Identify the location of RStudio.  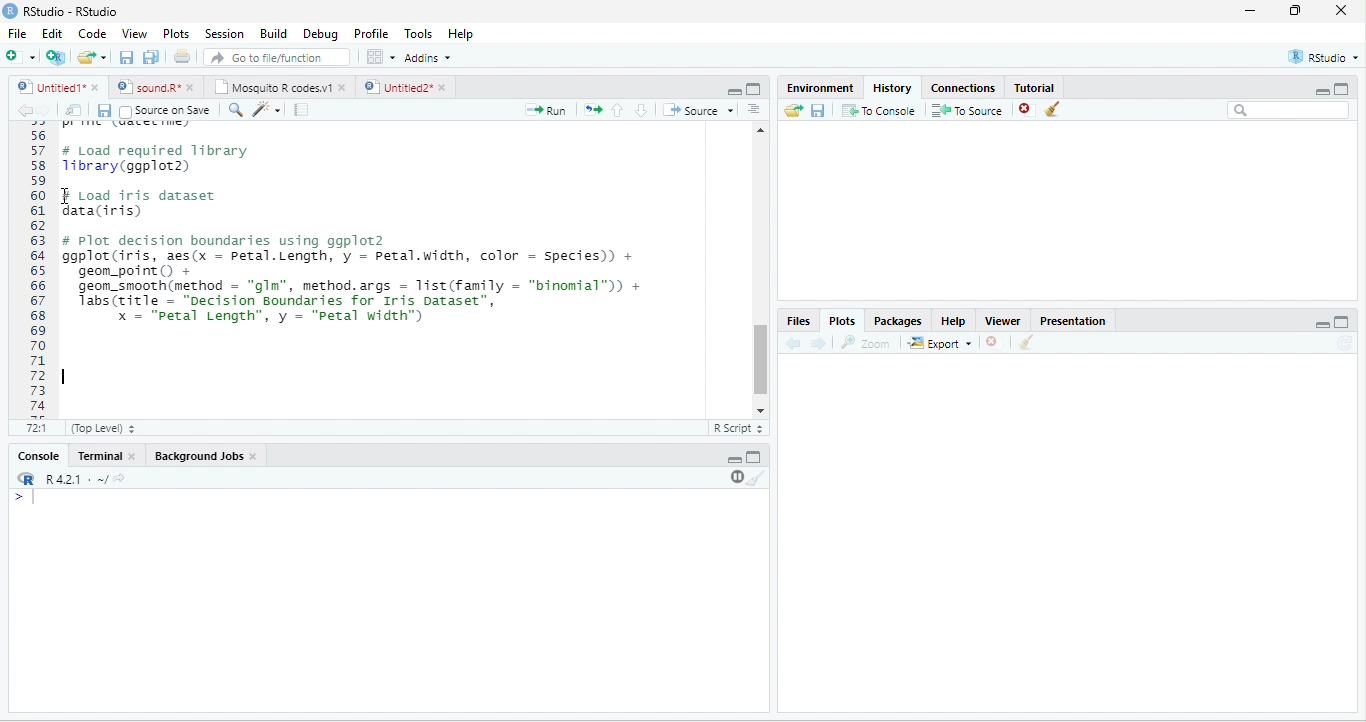
(1324, 57).